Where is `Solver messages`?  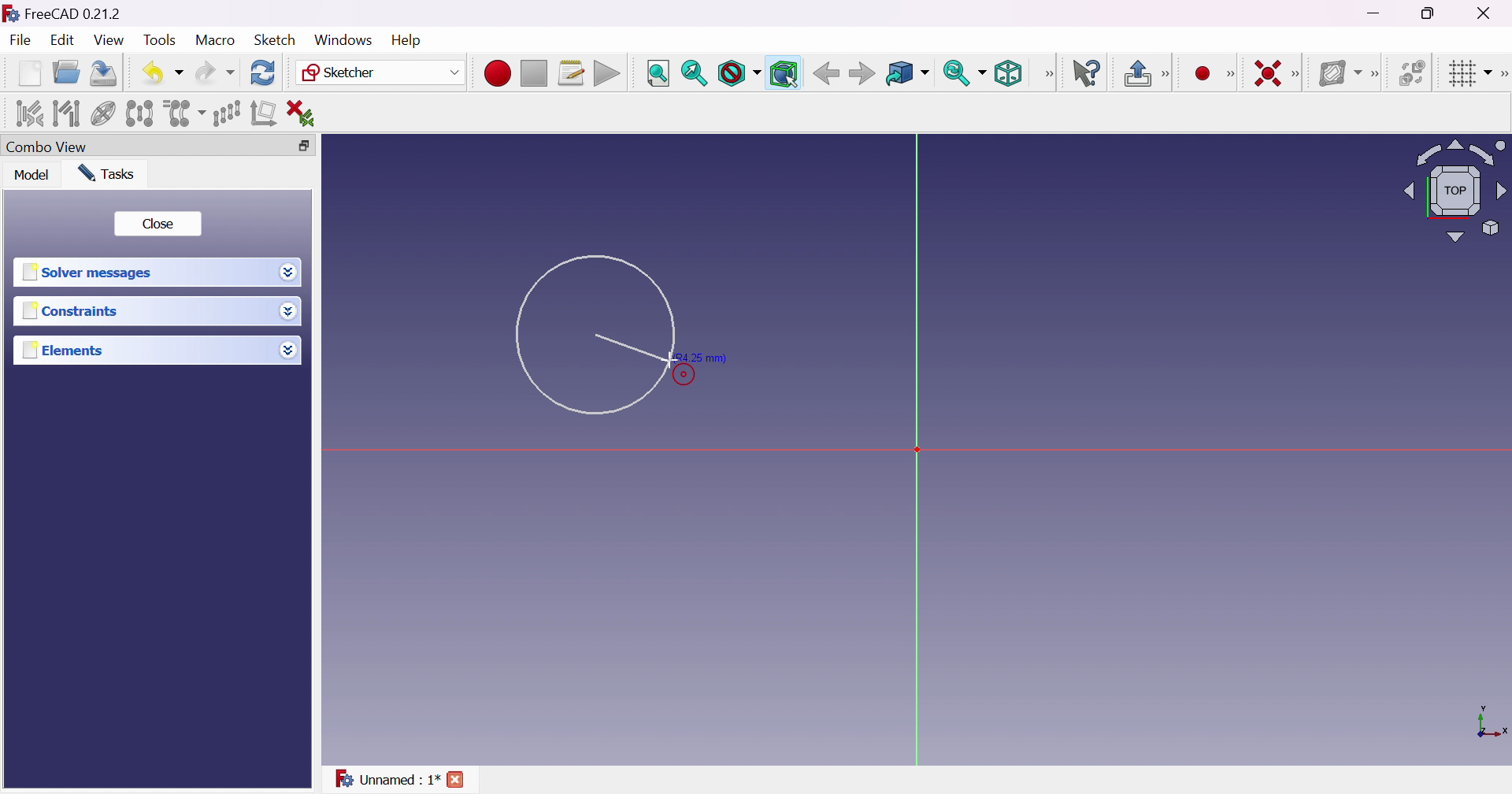
Solver messages is located at coordinates (90, 270).